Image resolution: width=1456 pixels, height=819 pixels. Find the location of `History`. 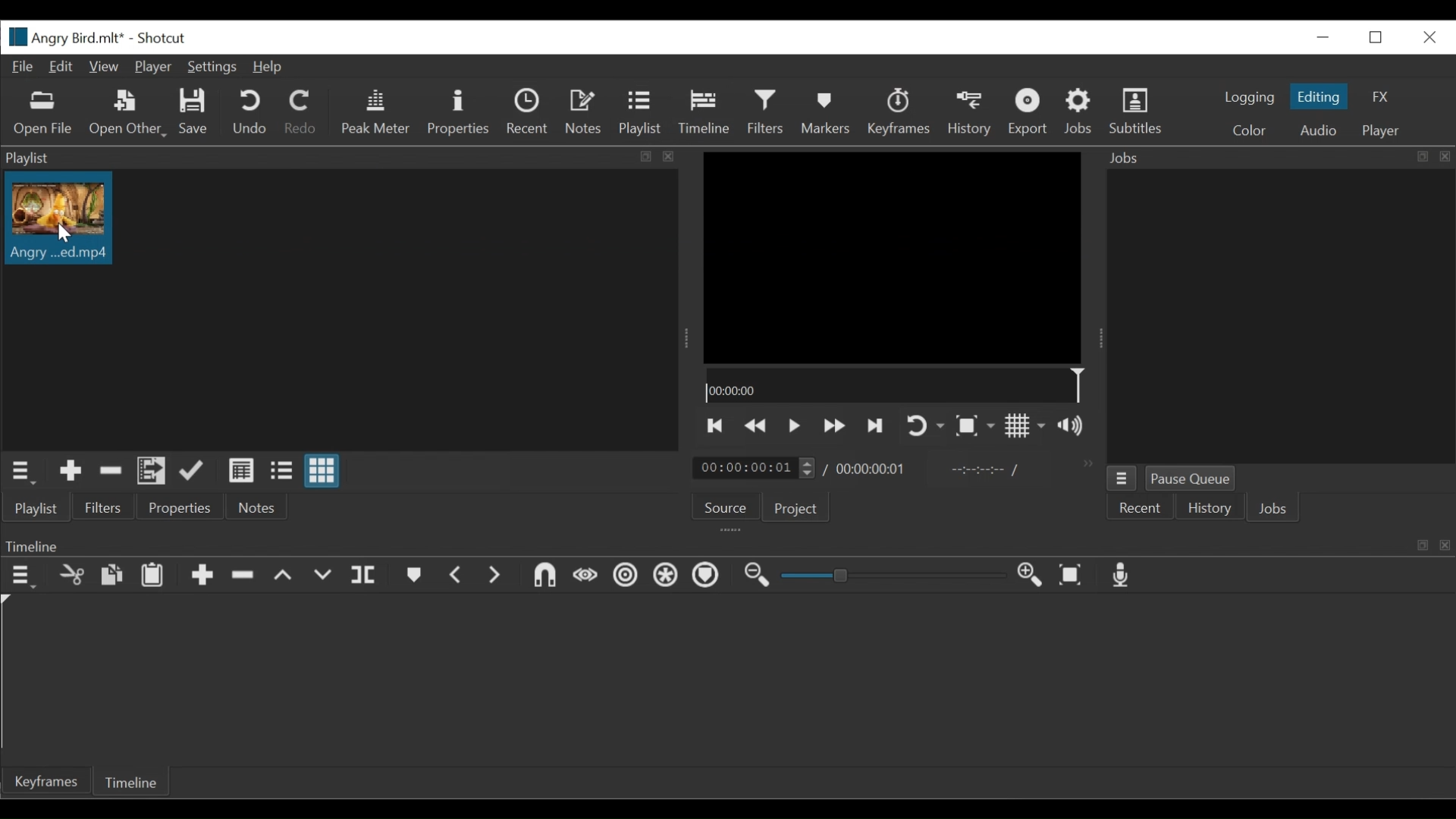

History is located at coordinates (971, 113).